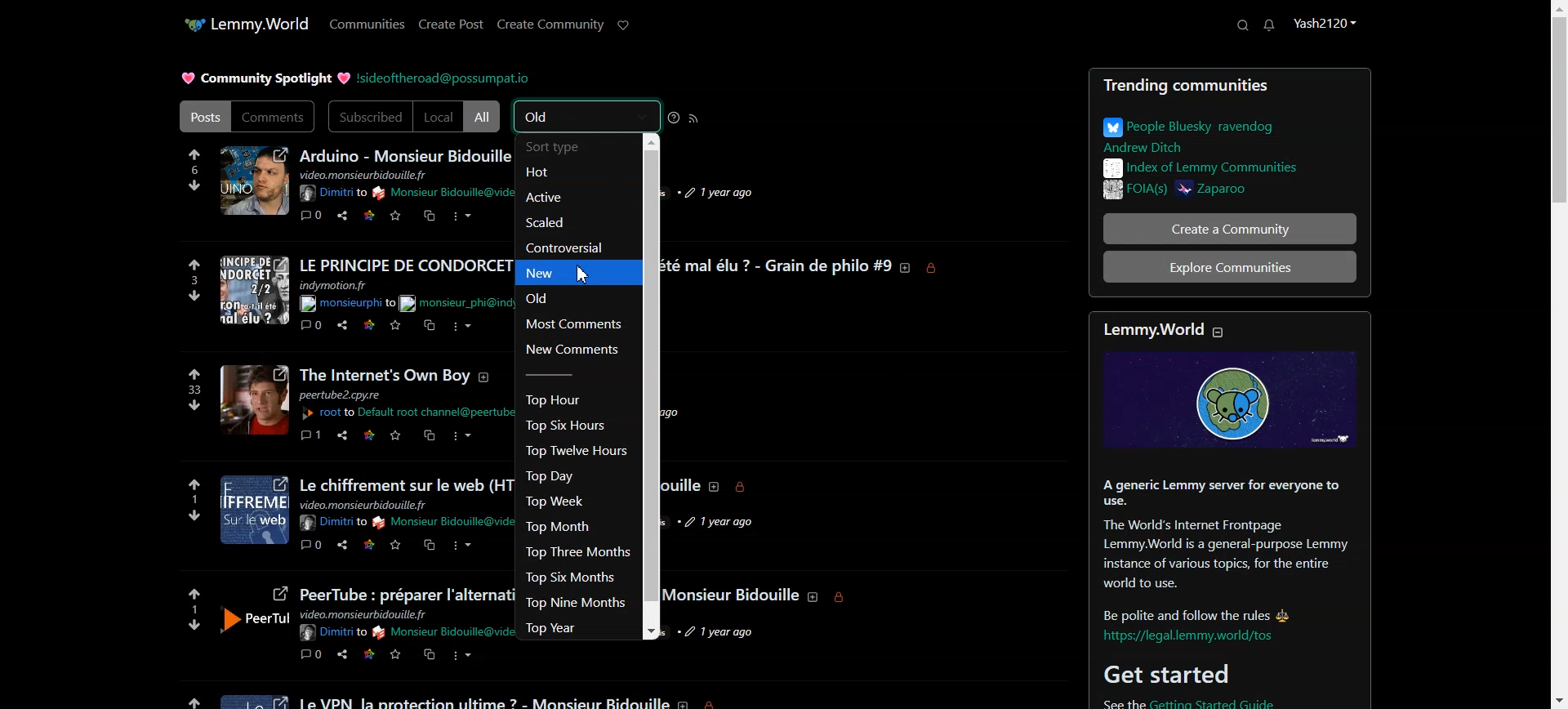  What do you see at coordinates (572, 578) in the screenshot?
I see `Top Six Month` at bounding box center [572, 578].